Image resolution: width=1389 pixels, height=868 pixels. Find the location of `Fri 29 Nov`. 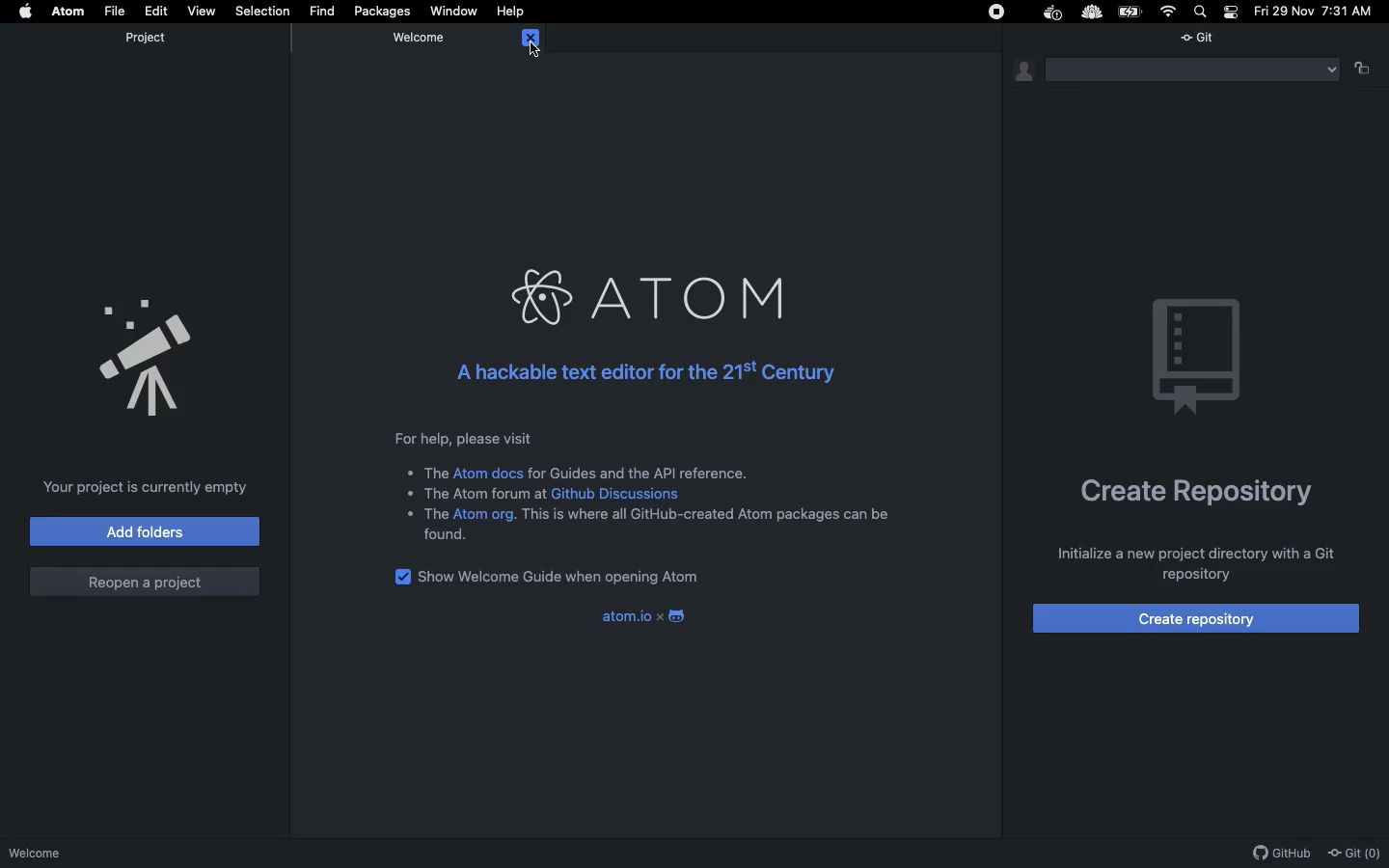

Fri 29 Nov is located at coordinates (1282, 13).